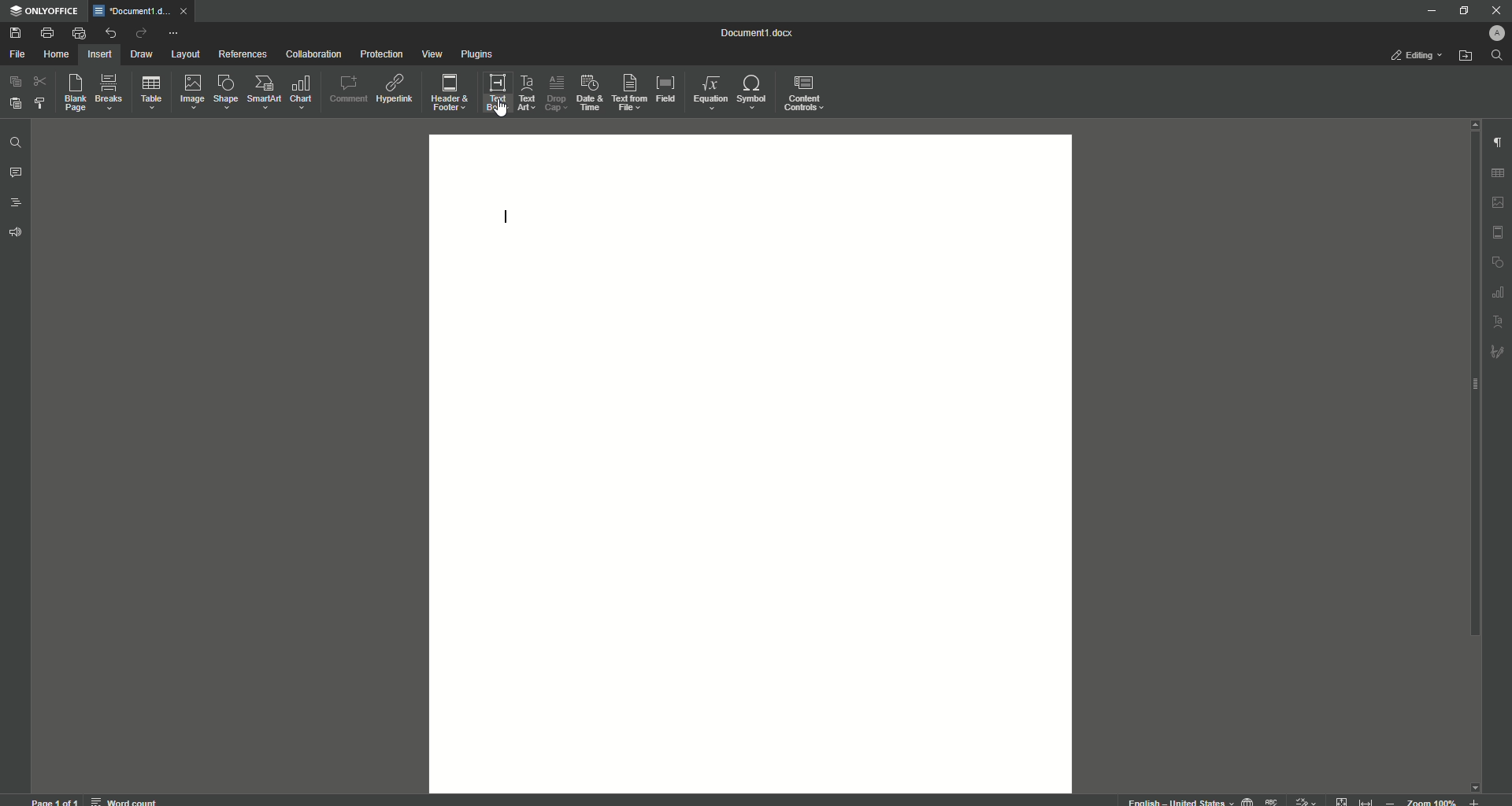  Describe the element at coordinates (264, 92) in the screenshot. I see `SmartArt` at that location.